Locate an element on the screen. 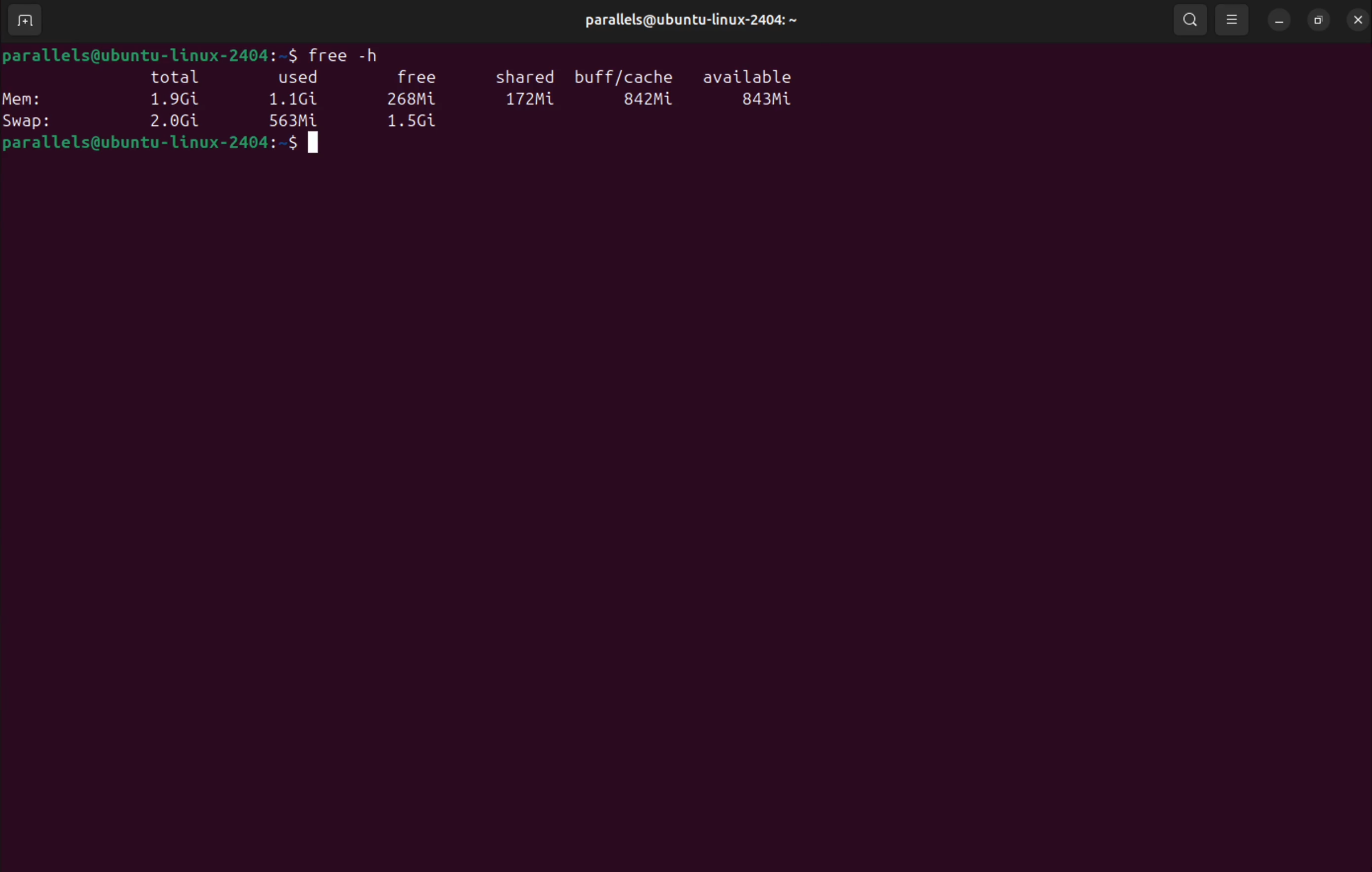  total is located at coordinates (177, 78).